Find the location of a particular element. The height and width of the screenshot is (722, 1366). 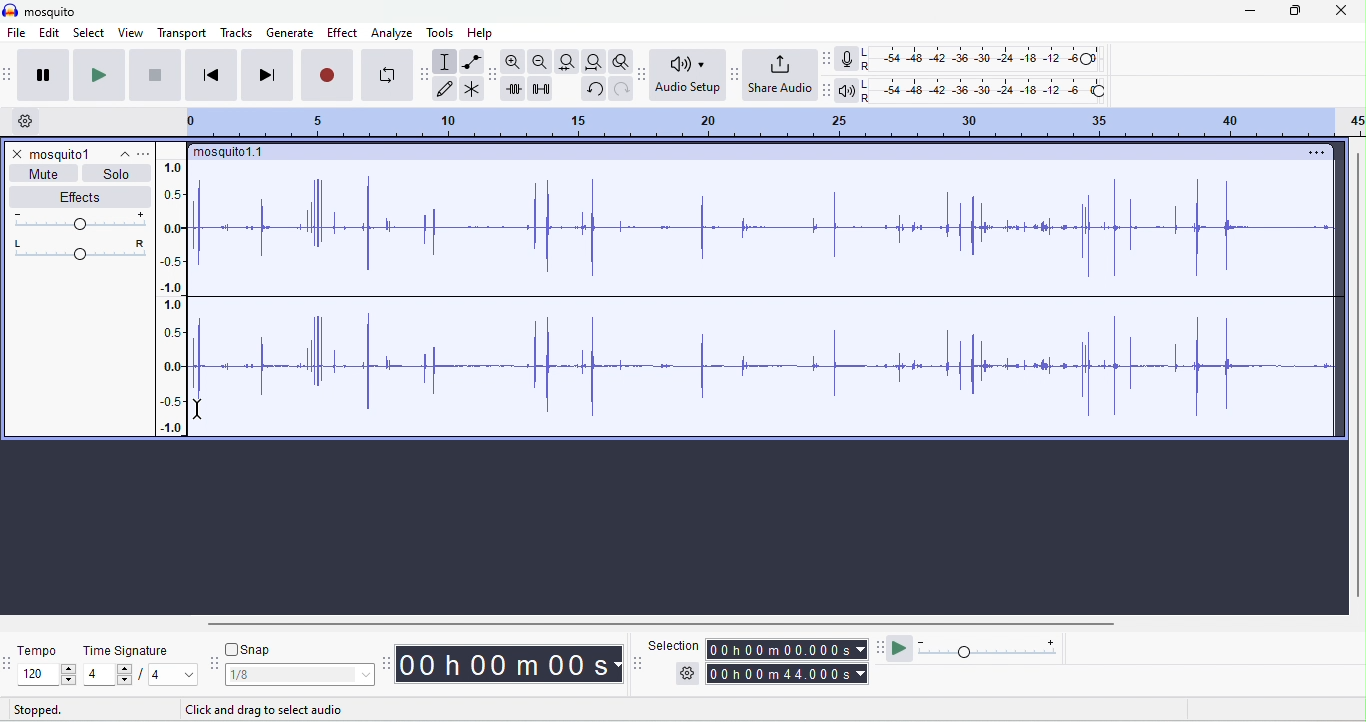

file is located at coordinates (16, 34).